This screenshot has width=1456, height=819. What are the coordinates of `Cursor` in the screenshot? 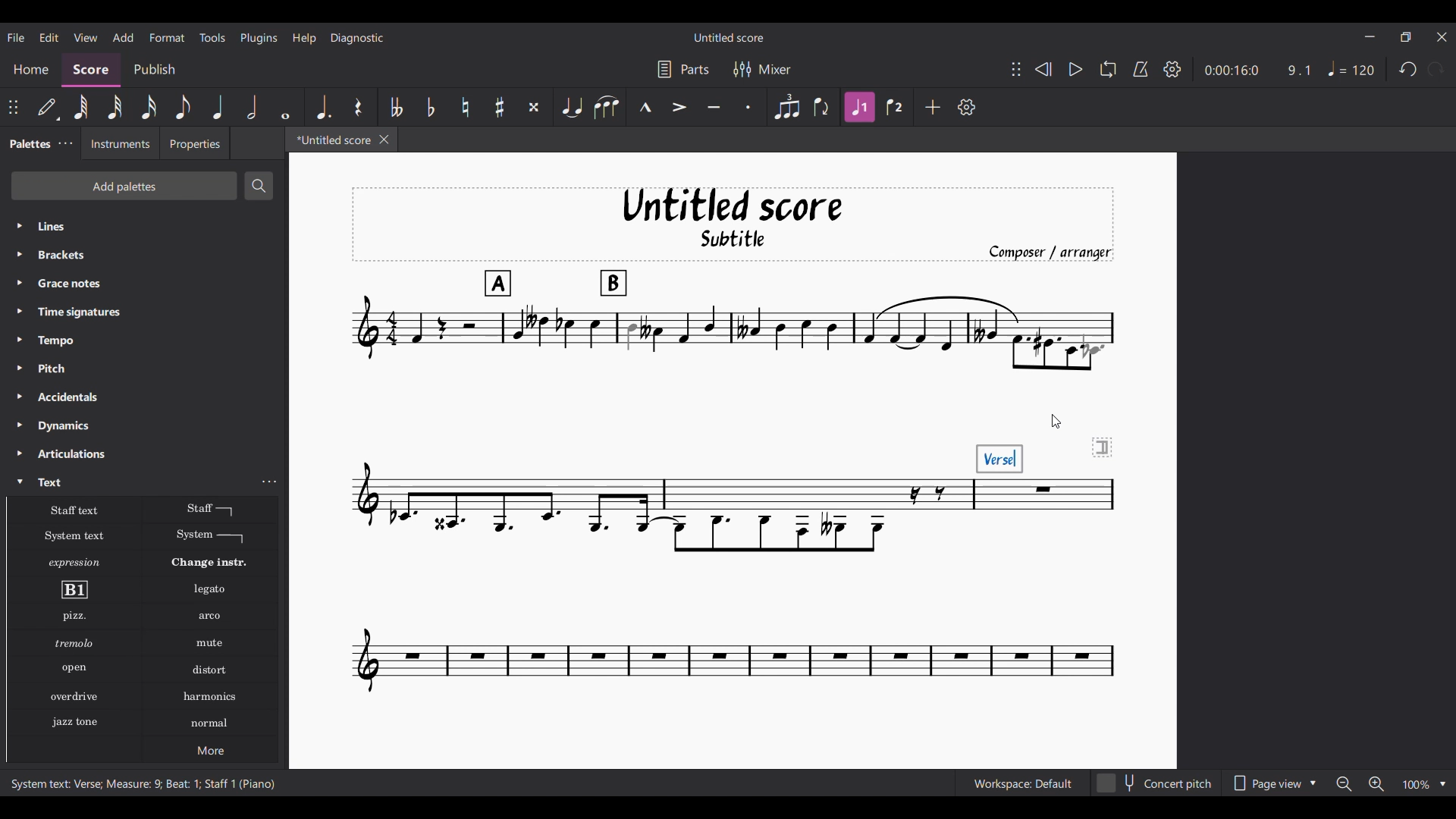 It's located at (1057, 421).